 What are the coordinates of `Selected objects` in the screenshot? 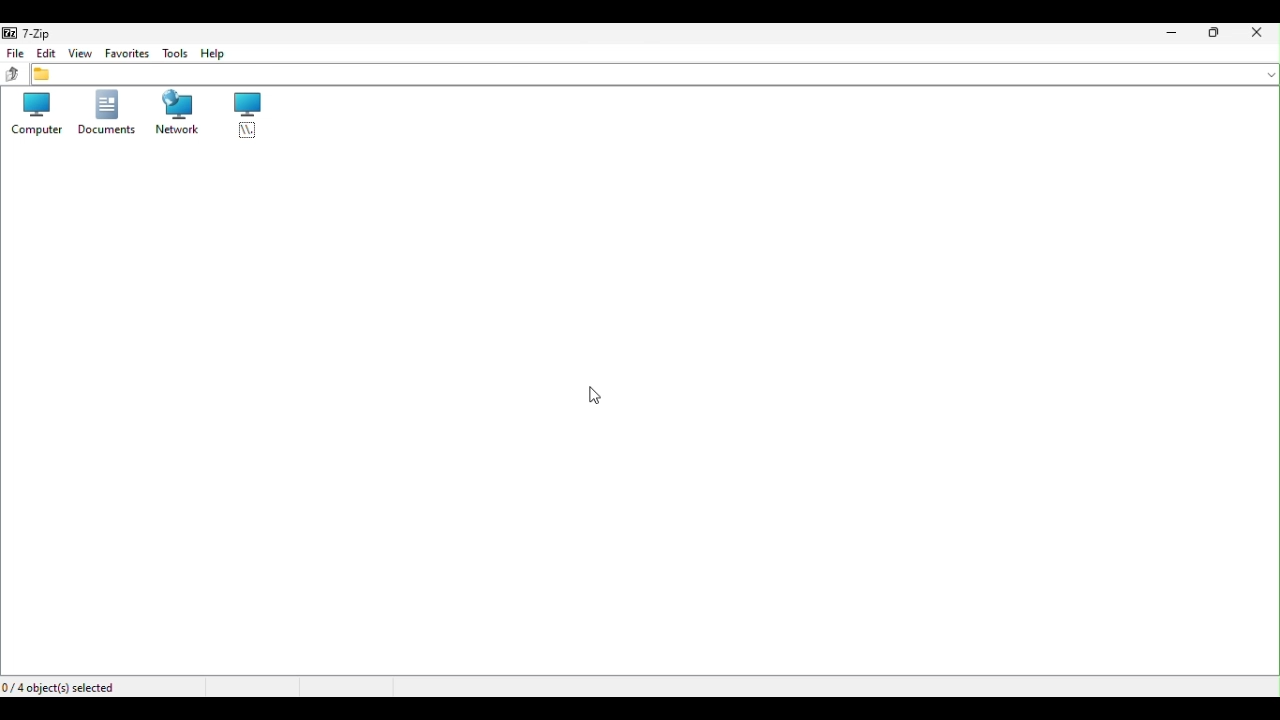 It's located at (63, 687).